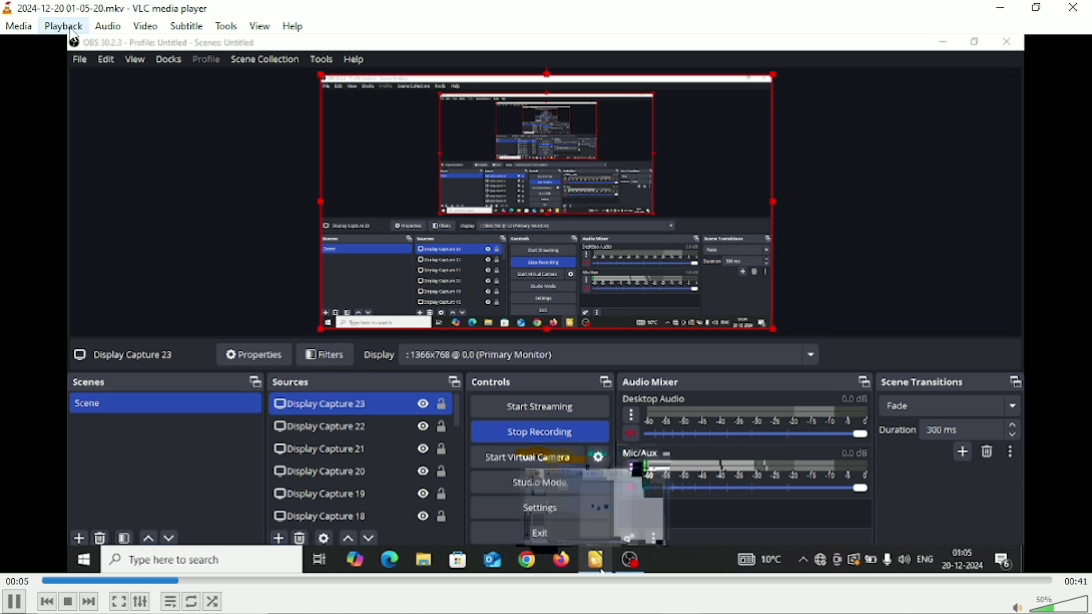 The height and width of the screenshot is (614, 1092). What do you see at coordinates (118, 601) in the screenshot?
I see `Toggle video in fullscreen` at bounding box center [118, 601].